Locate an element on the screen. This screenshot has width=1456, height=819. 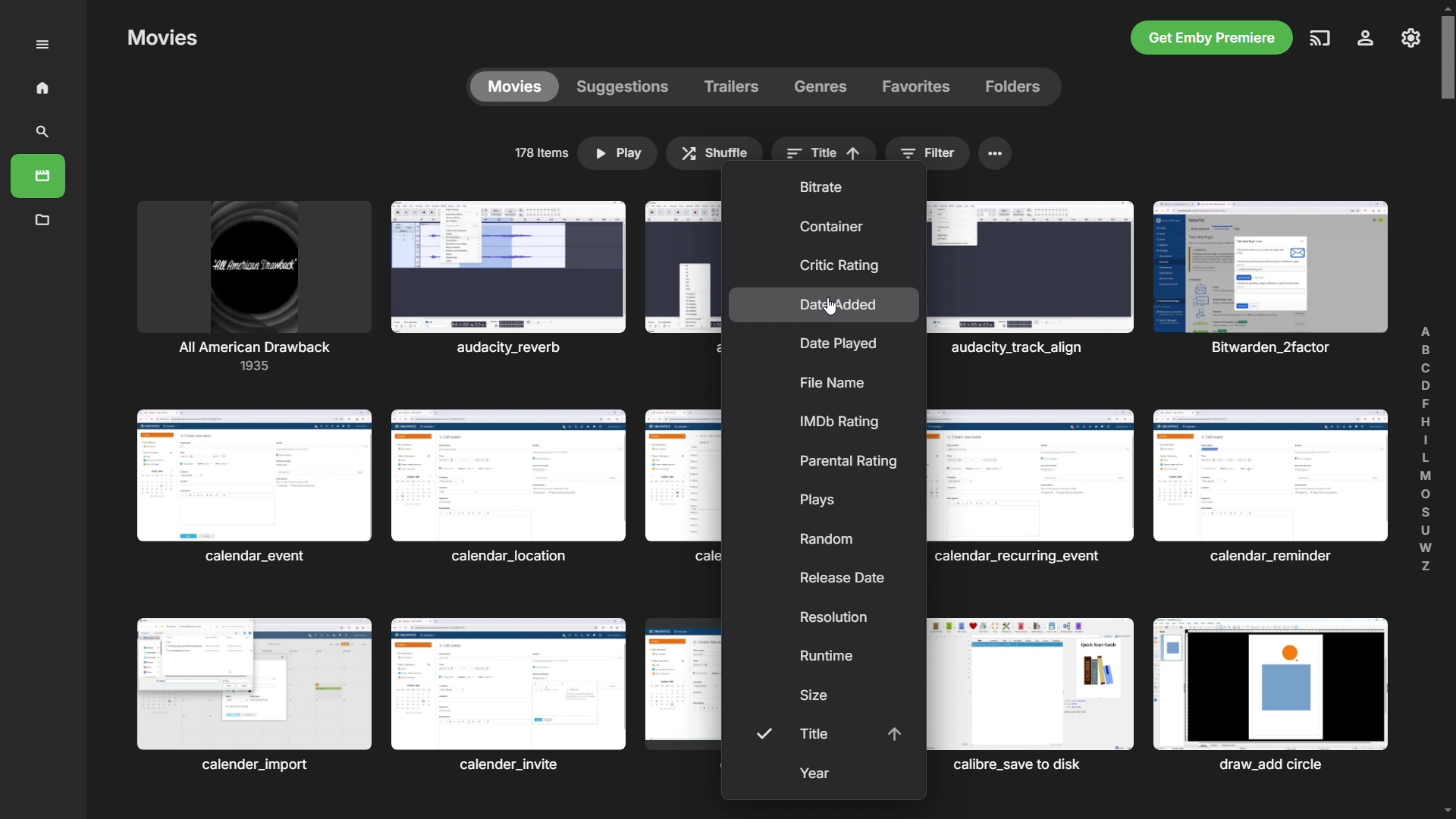
play is located at coordinates (617, 152).